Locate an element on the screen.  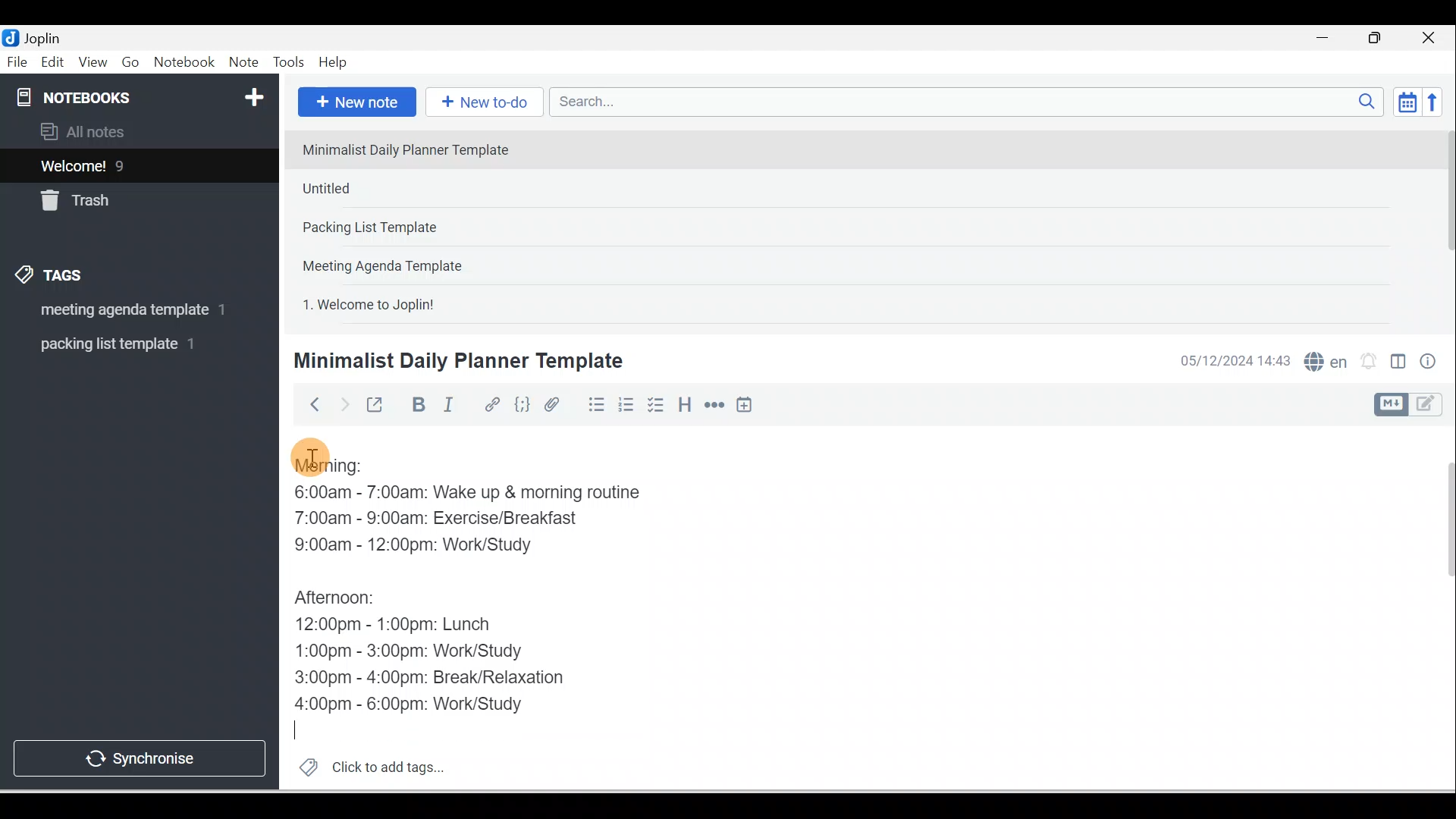
File is located at coordinates (18, 61).